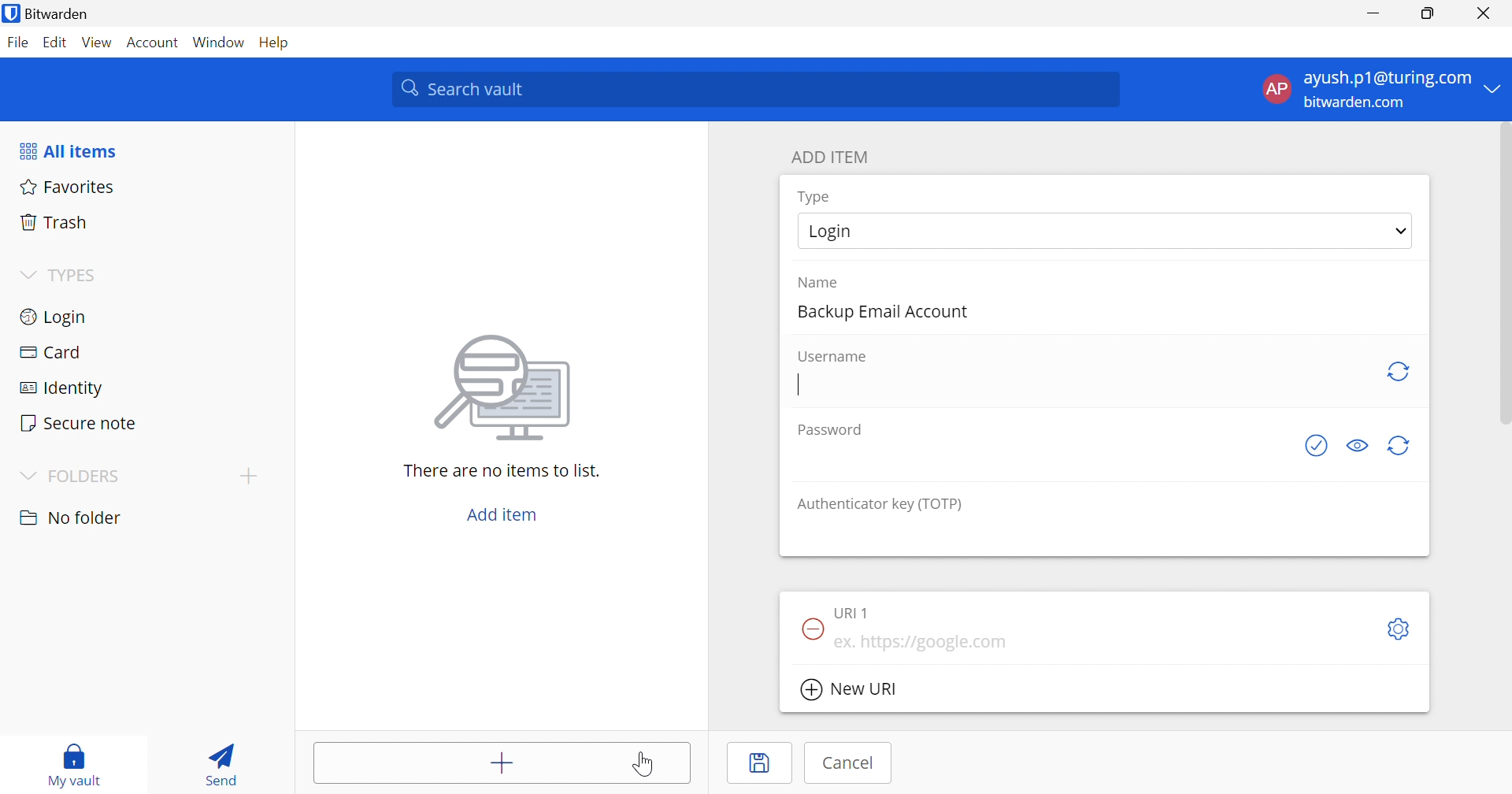 This screenshot has width=1512, height=794. What do you see at coordinates (1497, 89) in the screenshot?
I see `Drop Down` at bounding box center [1497, 89].